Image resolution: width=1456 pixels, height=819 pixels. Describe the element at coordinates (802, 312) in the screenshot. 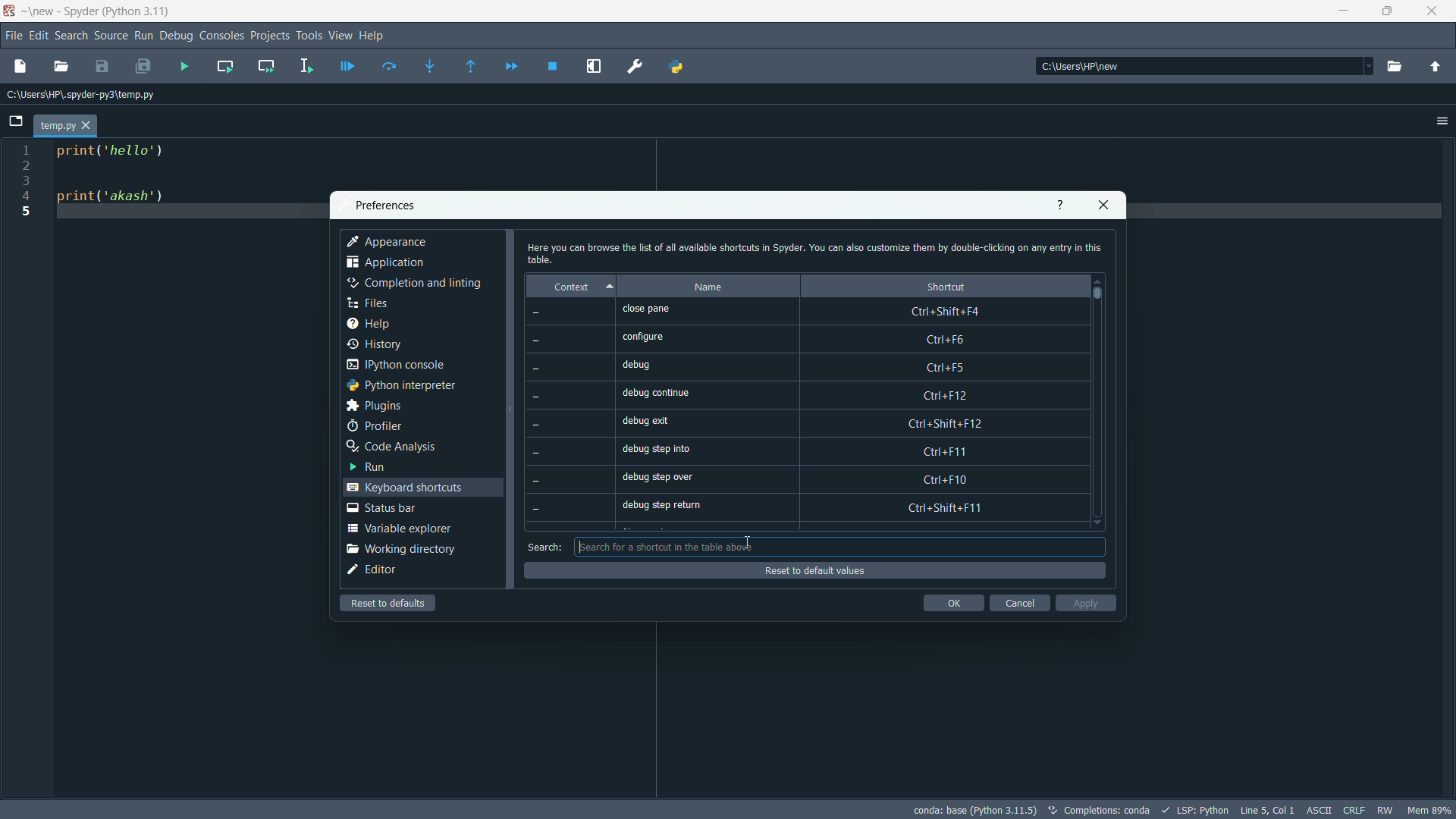

I see `-, close pane, ctrl+shift+f4` at that location.